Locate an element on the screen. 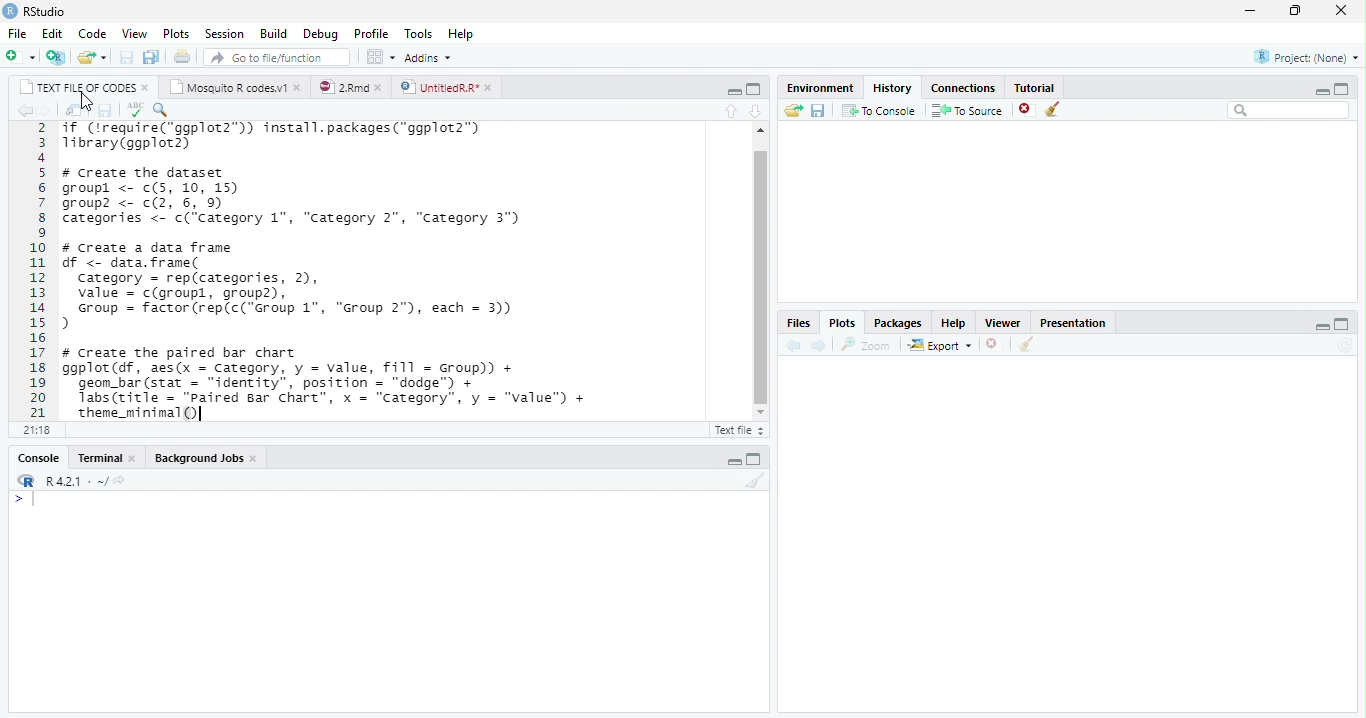 The width and height of the screenshot is (1366, 718). minimize is located at coordinates (1250, 10).